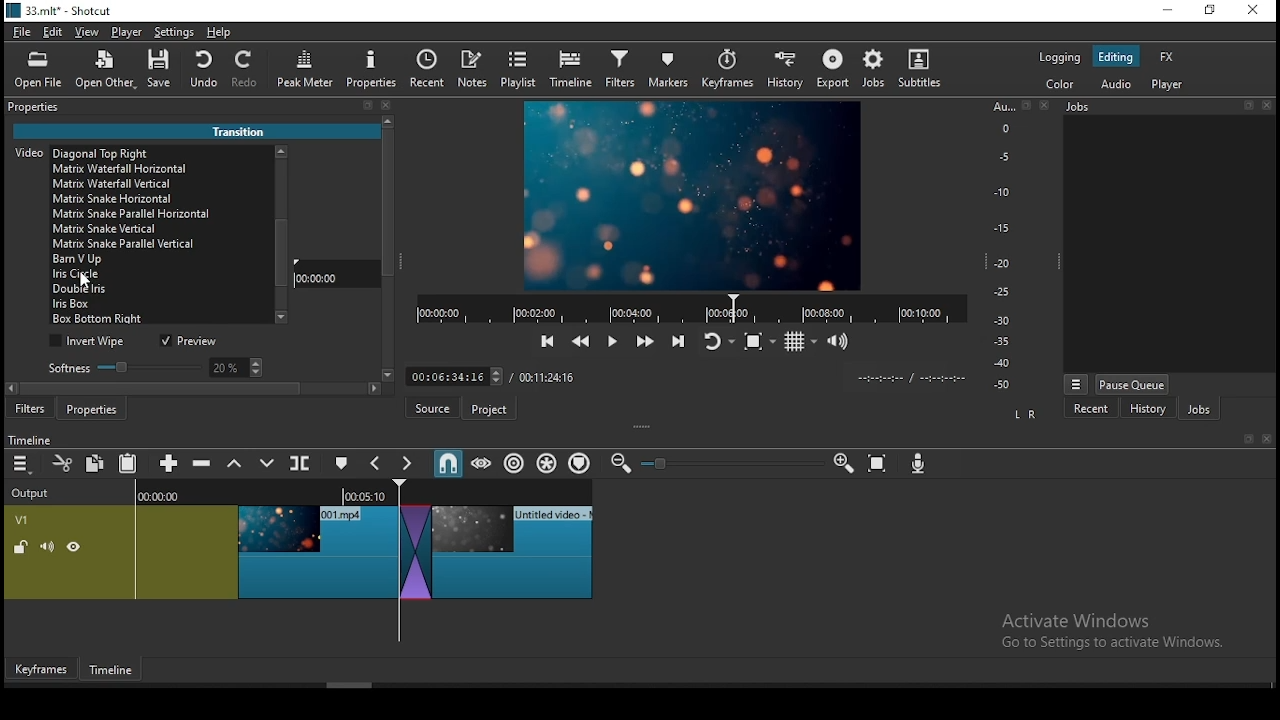  Describe the element at coordinates (1198, 411) in the screenshot. I see `jobs` at that location.